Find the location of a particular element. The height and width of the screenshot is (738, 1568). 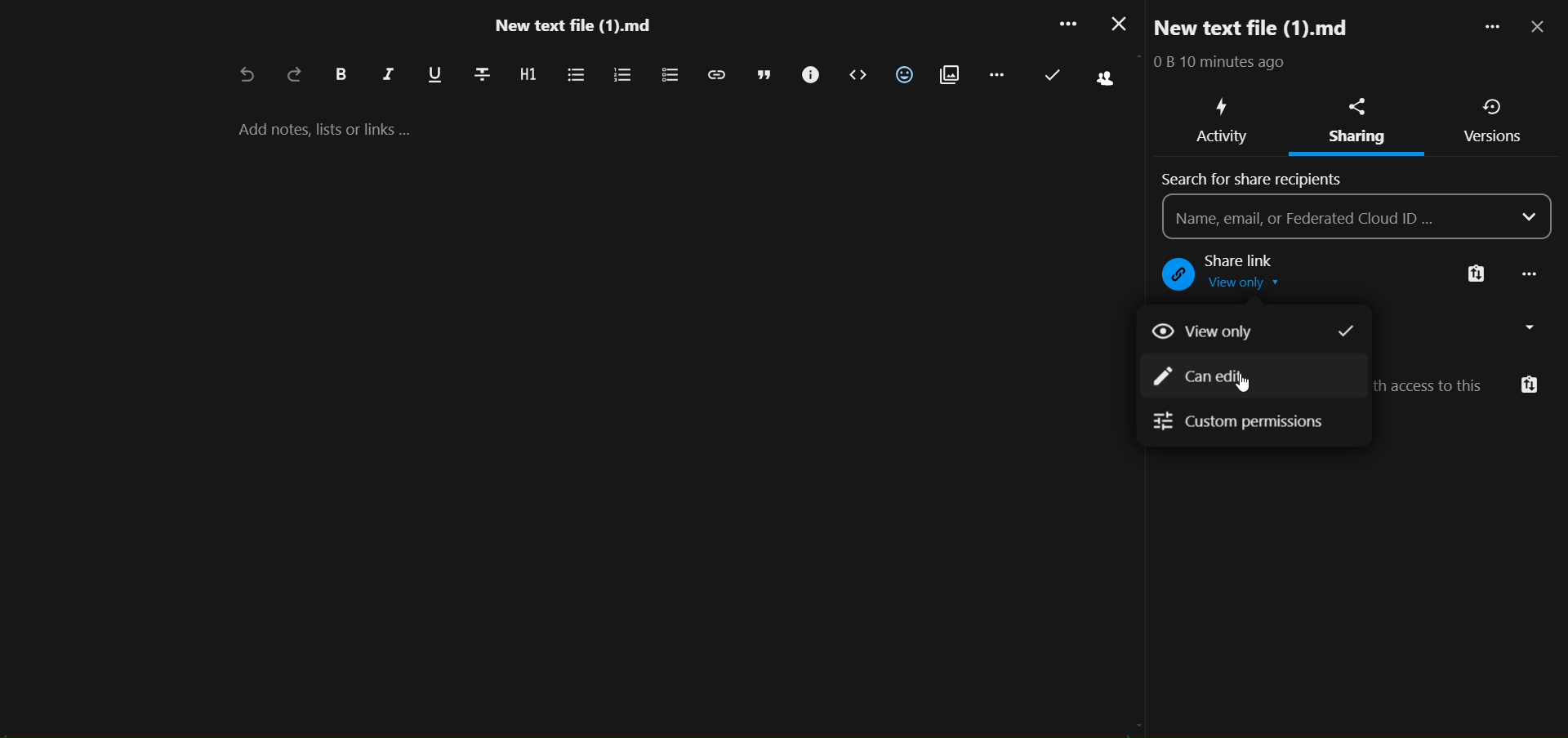

code block is located at coordinates (858, 76).